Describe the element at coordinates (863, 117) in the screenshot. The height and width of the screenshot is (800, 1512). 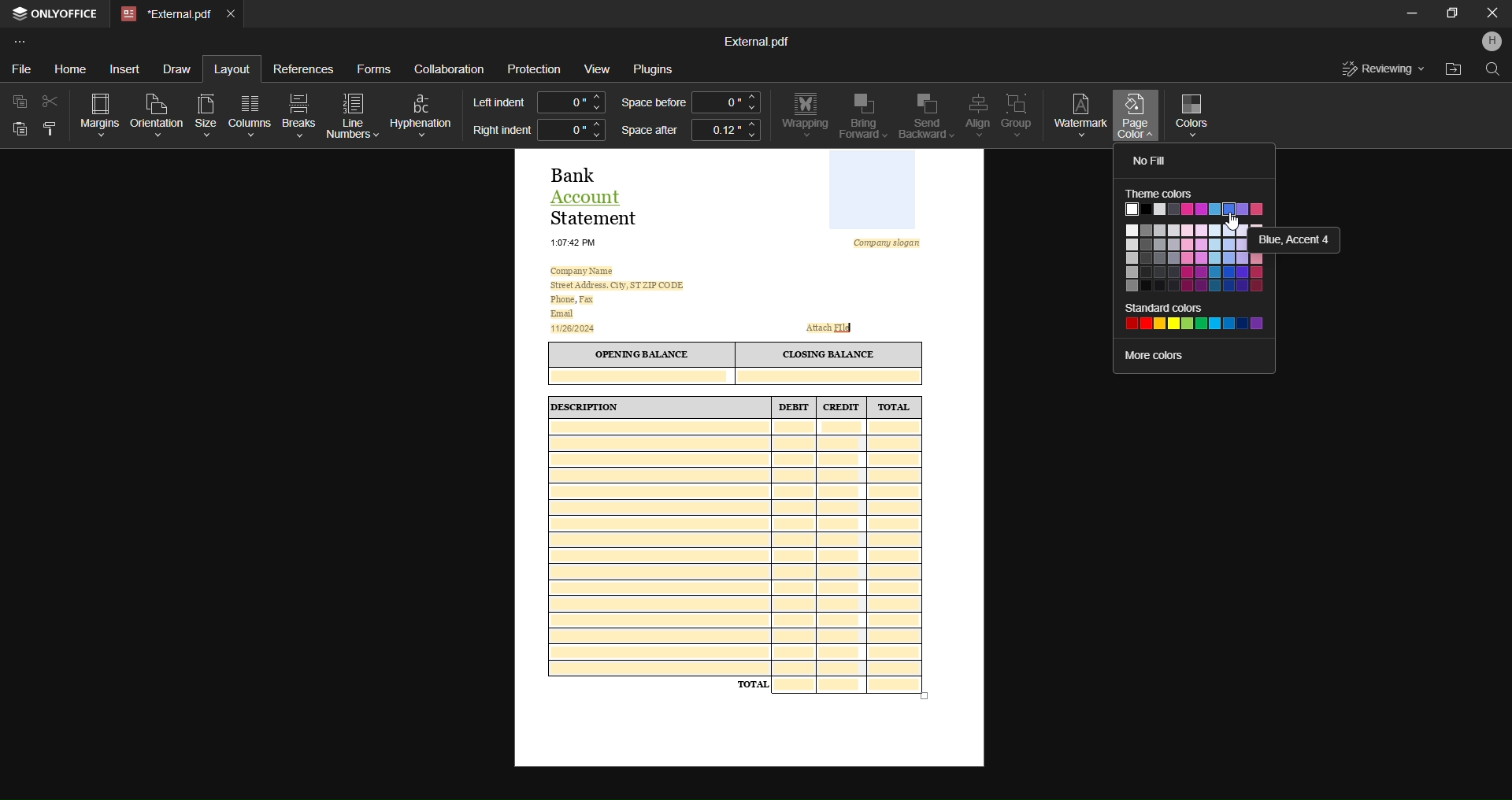
I see `Move Forward` at that location.